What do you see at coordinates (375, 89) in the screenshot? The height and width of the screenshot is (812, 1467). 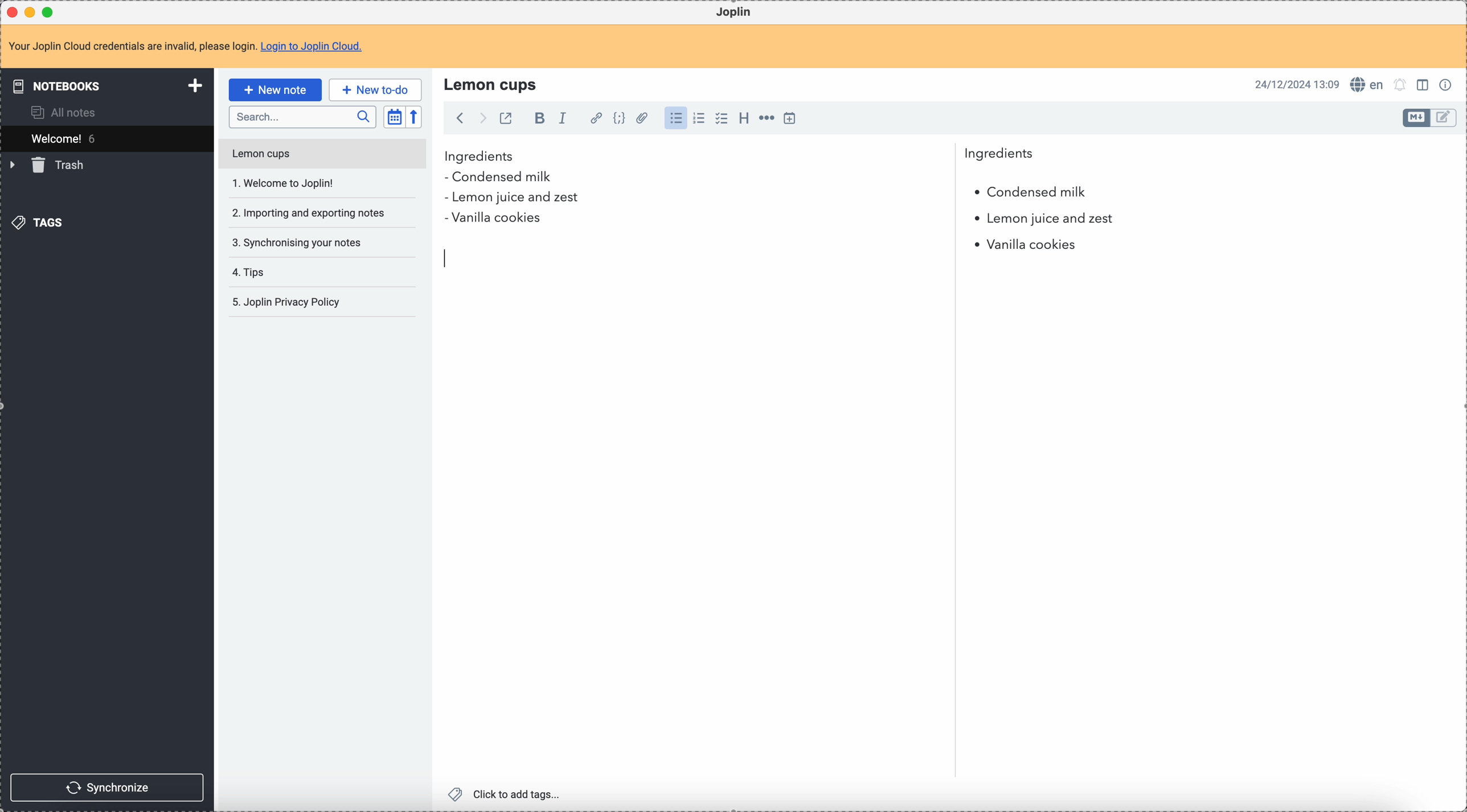 I see `new to-do` at bounding box center [375, 89].